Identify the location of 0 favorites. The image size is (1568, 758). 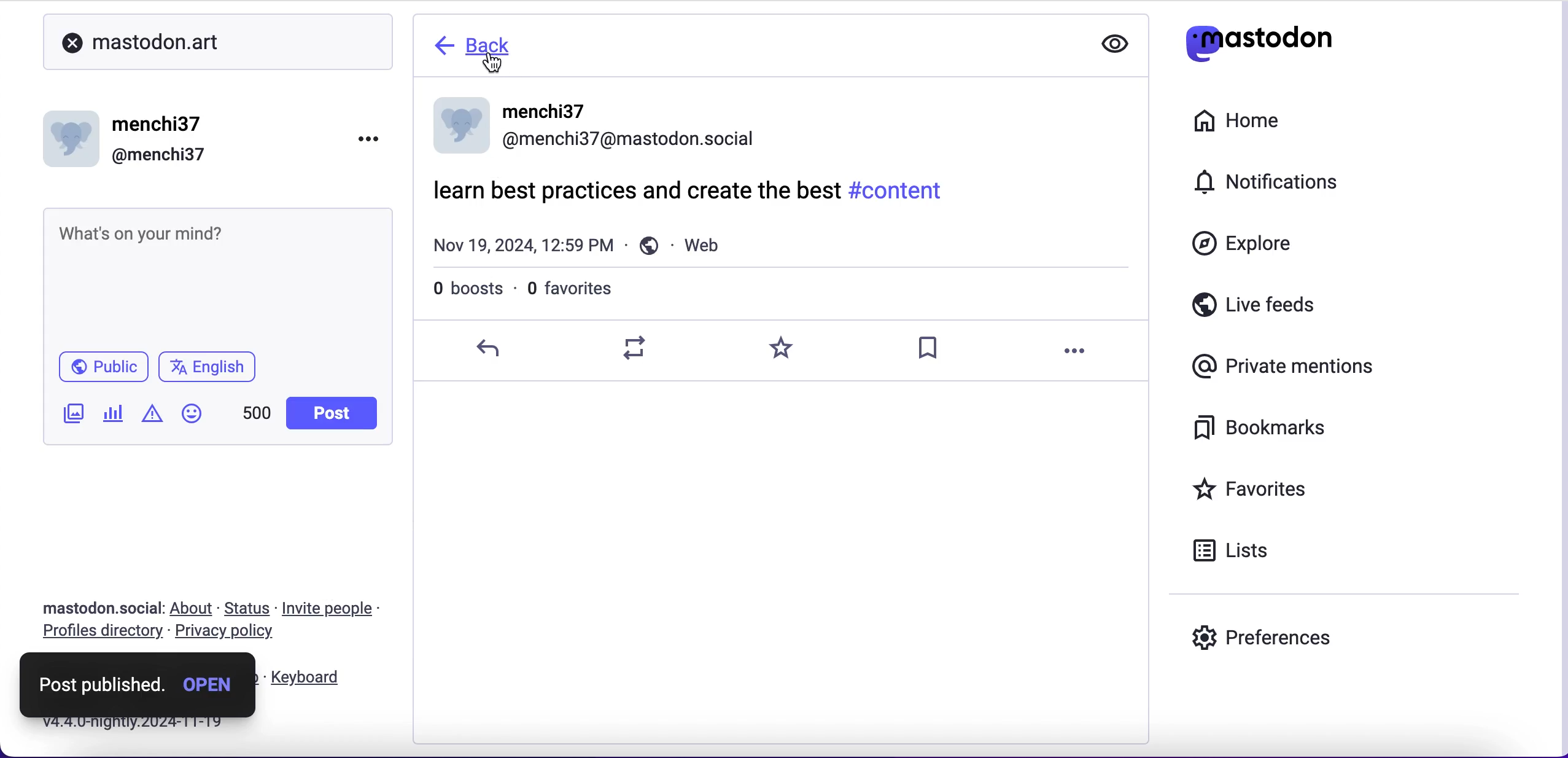
(572, 286).